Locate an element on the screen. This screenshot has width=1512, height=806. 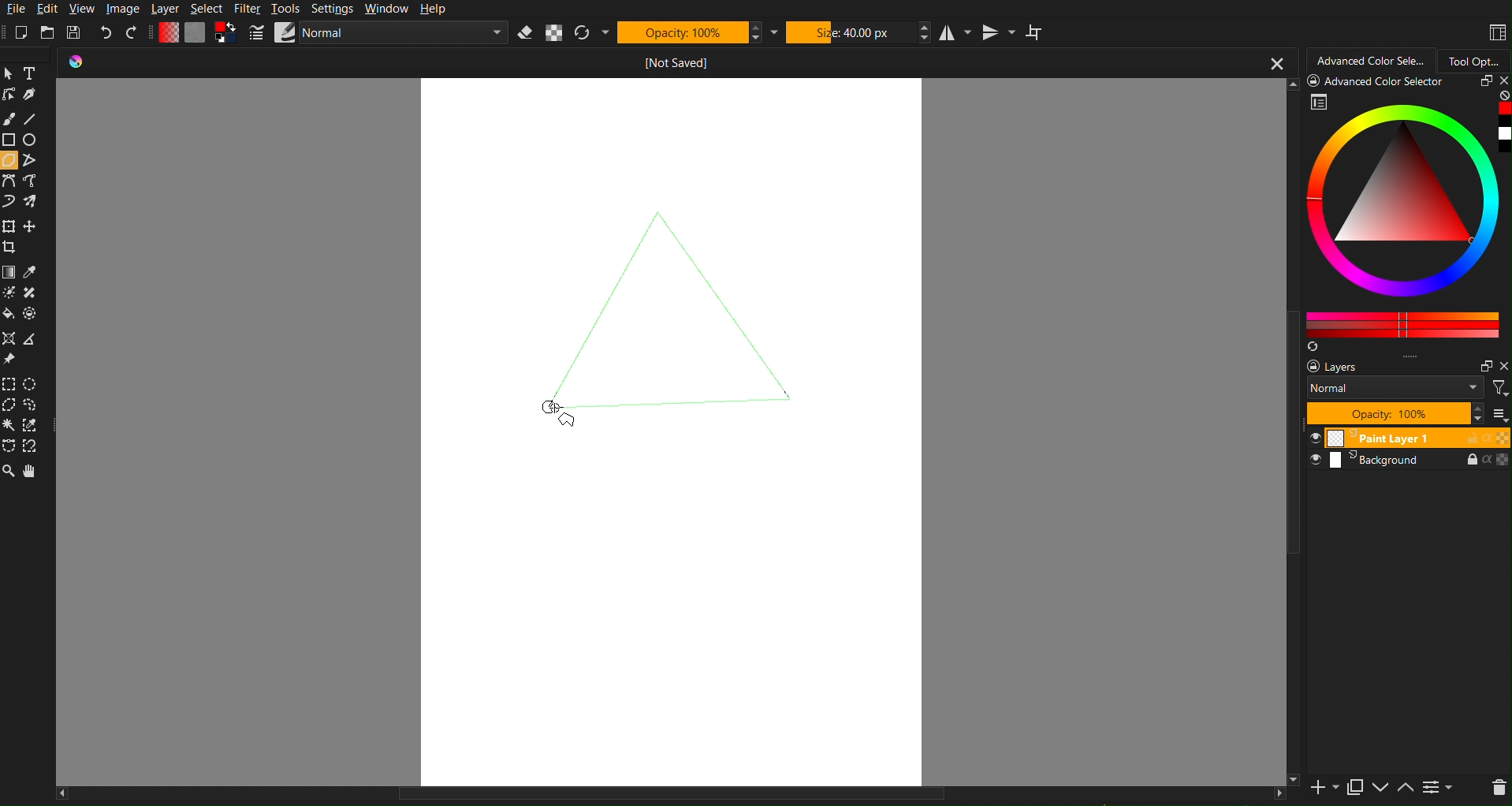
Advanced Color Selector is located at coordinates (1410, 218).